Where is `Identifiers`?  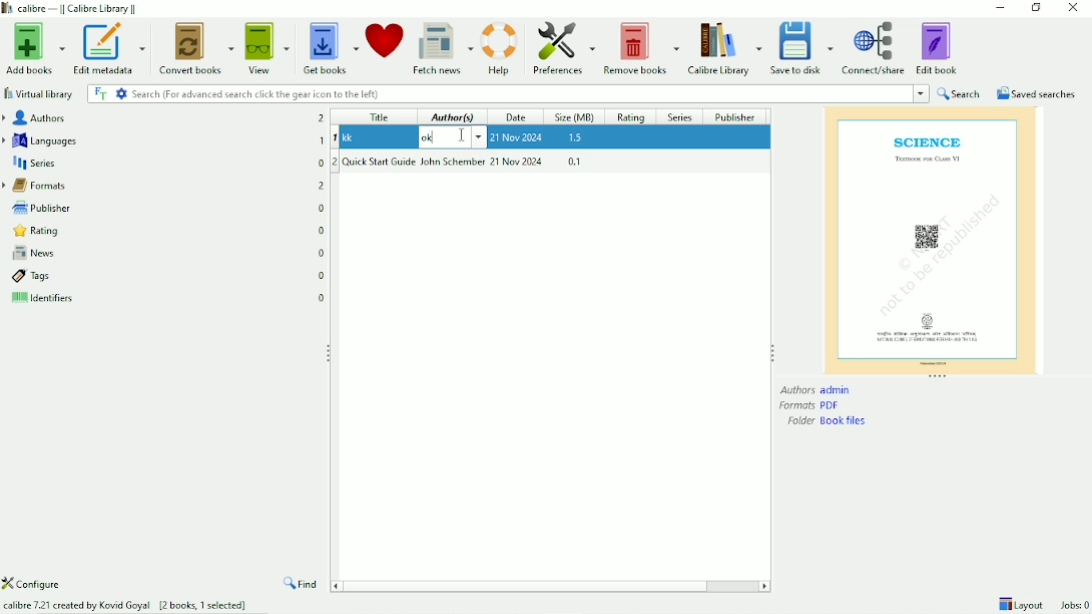 Identifiers is located at coordinates (169, 298).